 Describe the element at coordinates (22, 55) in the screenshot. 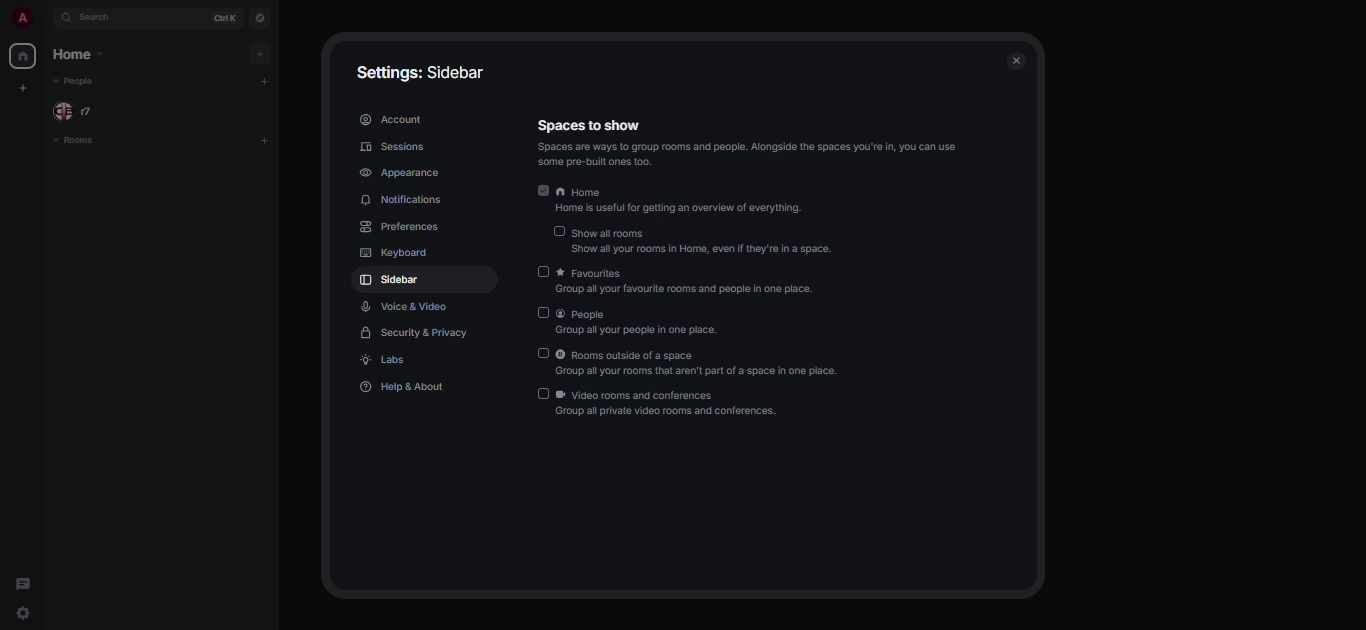

I see `home` at that location.